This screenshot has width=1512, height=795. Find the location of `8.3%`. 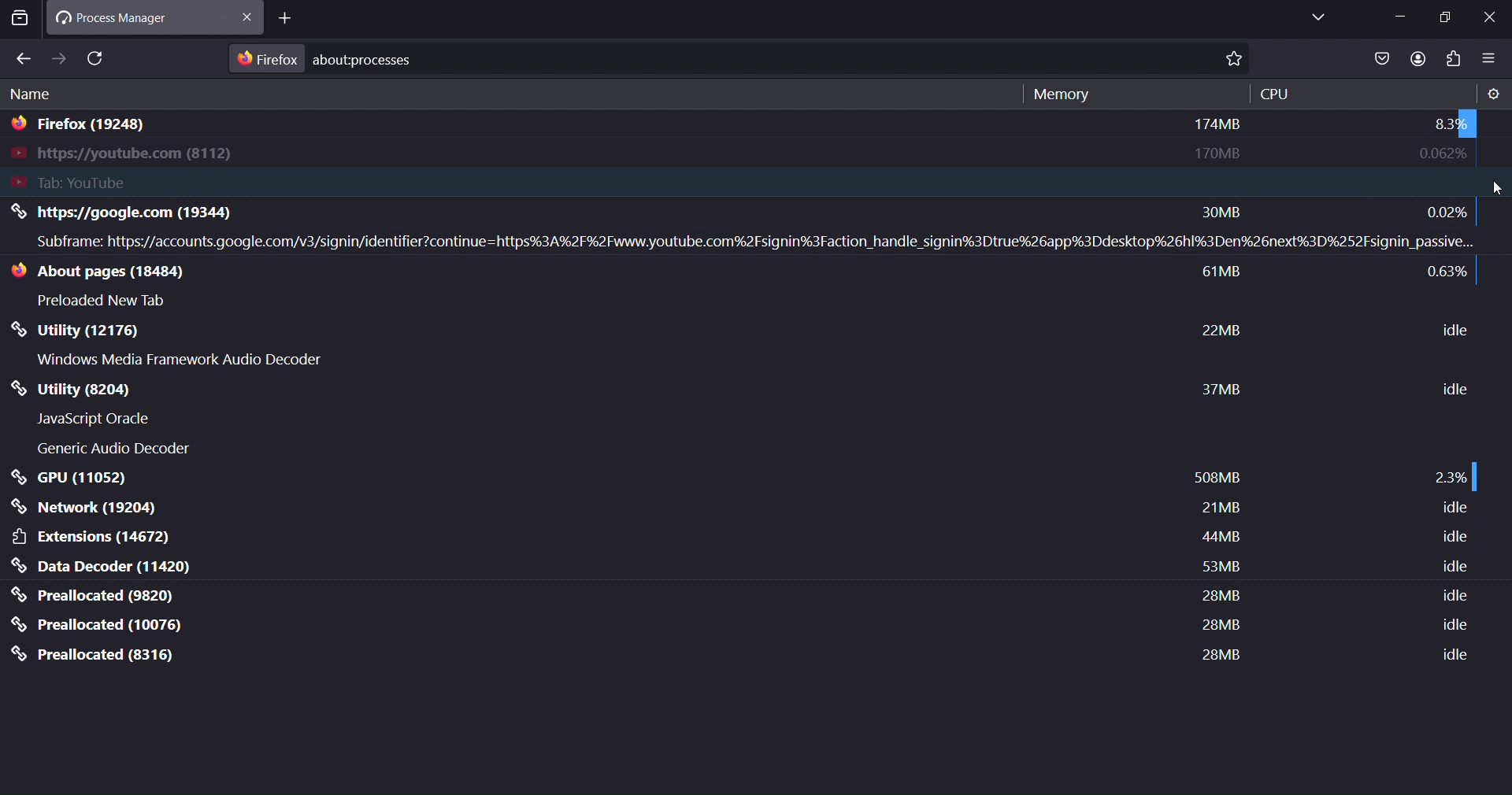

8.3% is located at coordinates (1445, 124).